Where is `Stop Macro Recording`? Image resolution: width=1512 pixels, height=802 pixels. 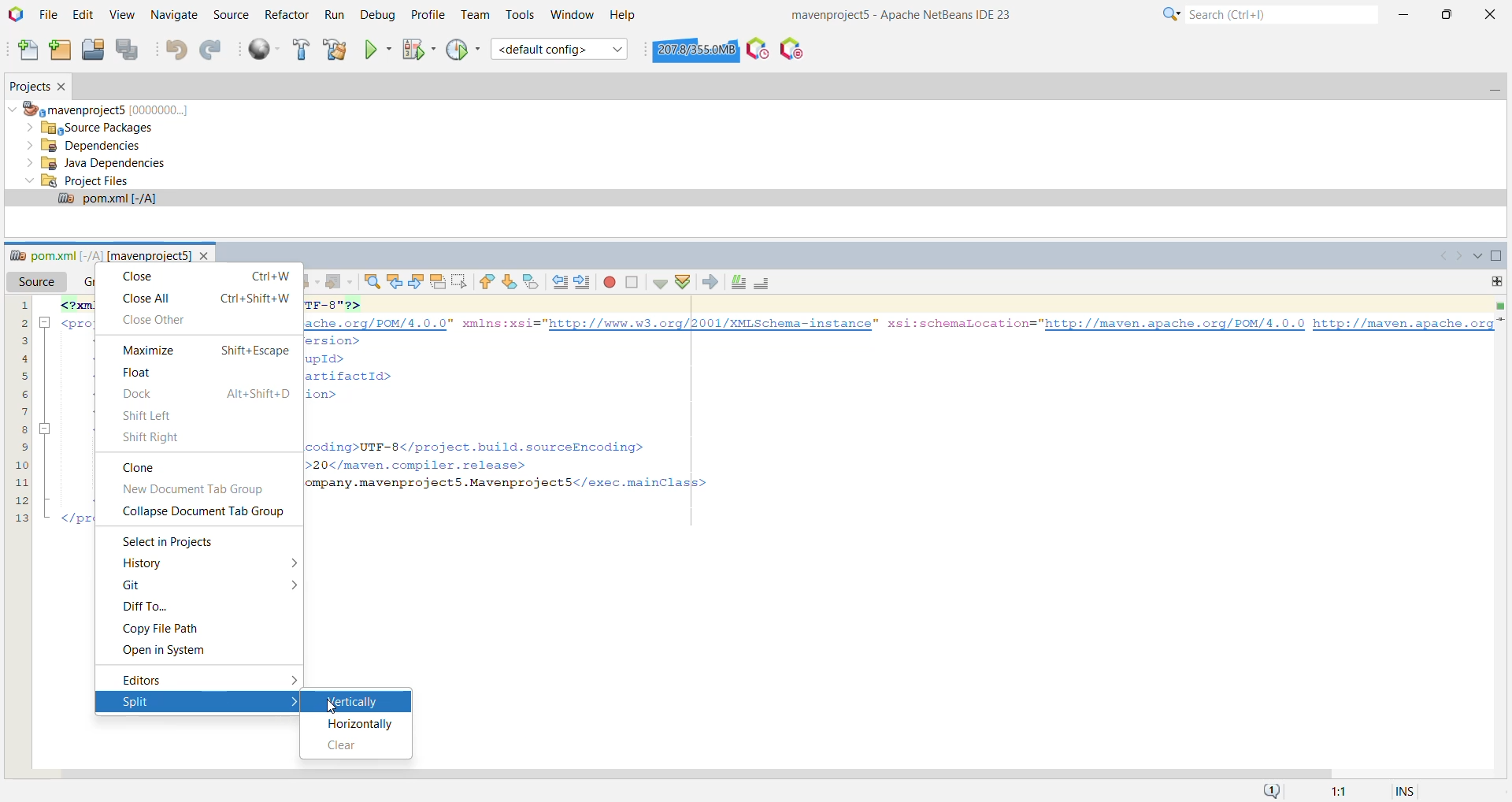
Stop Macro Recording is located at coordinates (632, 283).